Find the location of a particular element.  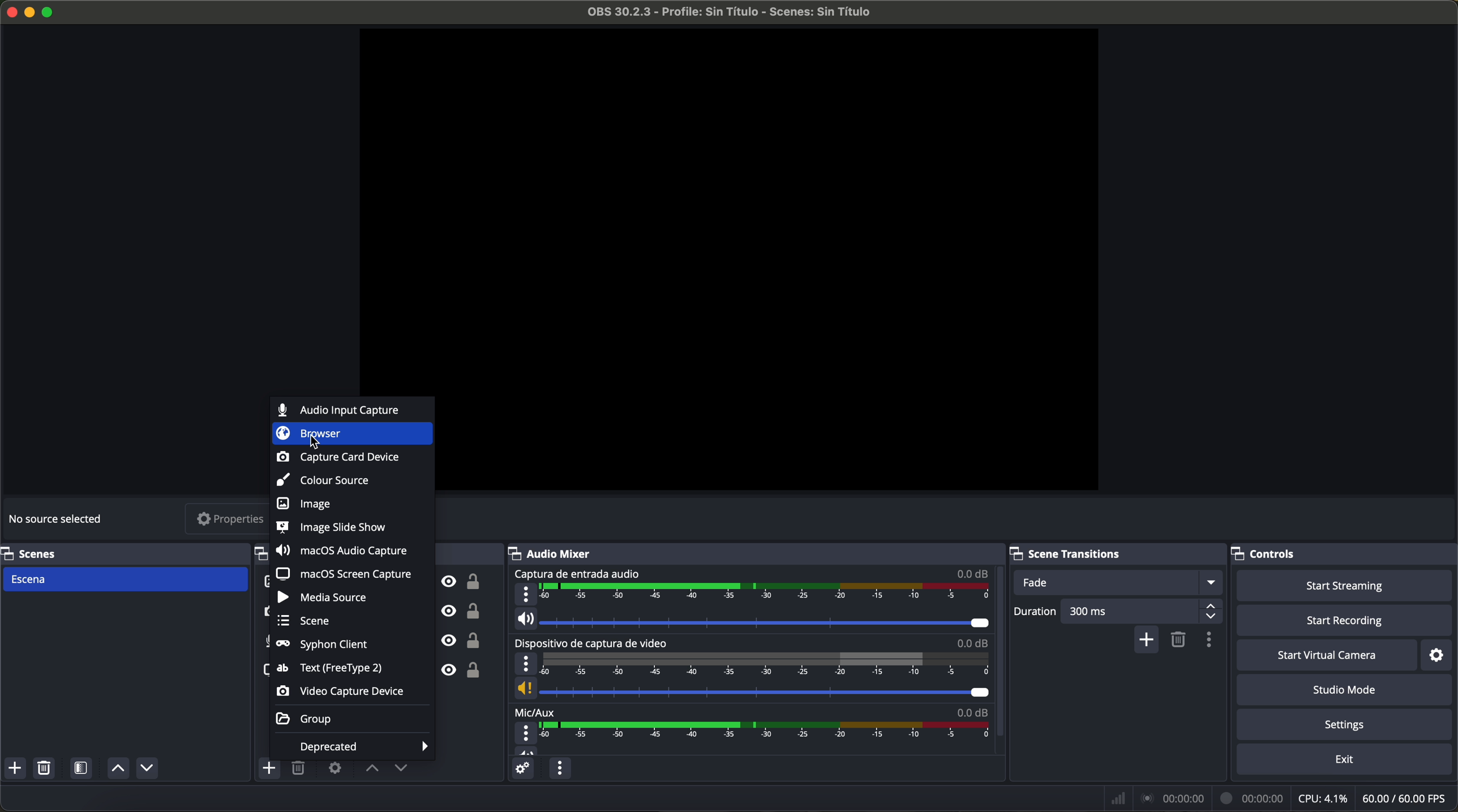

workspace is located at coordinates (730, 212).